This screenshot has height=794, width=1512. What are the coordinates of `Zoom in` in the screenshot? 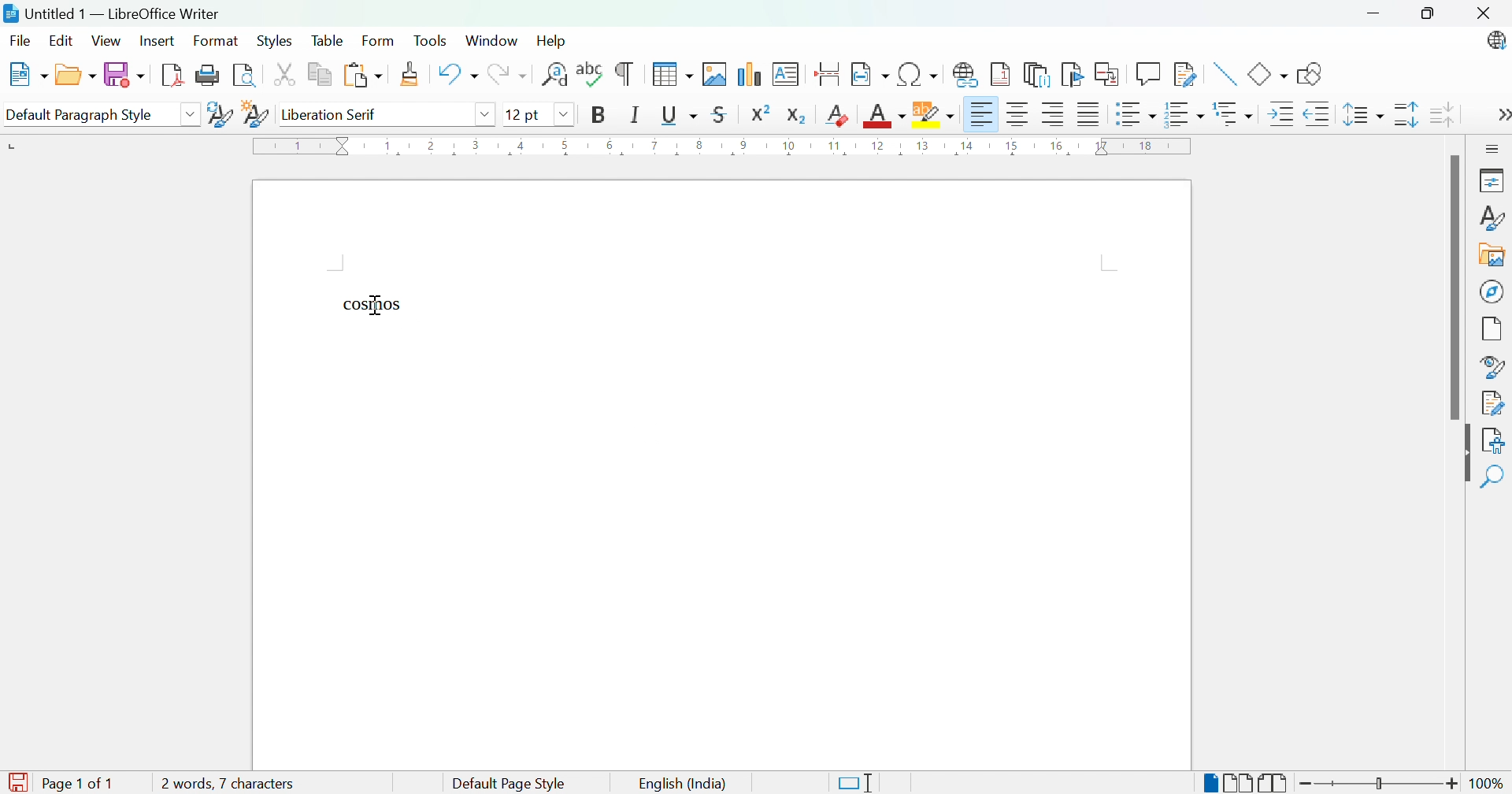 It's located at (1453, 784).